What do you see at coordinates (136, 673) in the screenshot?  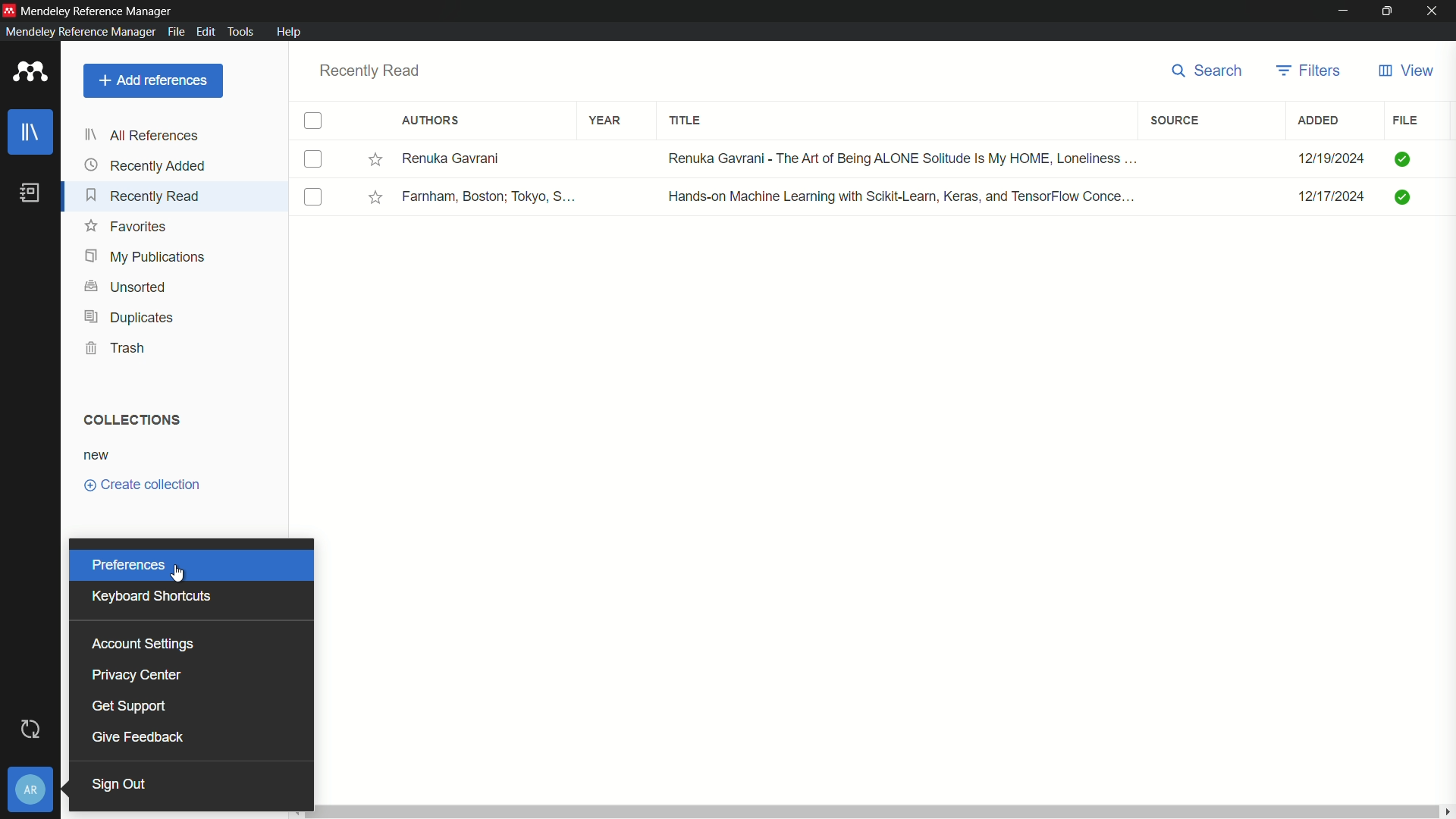 I see `privacy center` at bounding box center [136, 673].